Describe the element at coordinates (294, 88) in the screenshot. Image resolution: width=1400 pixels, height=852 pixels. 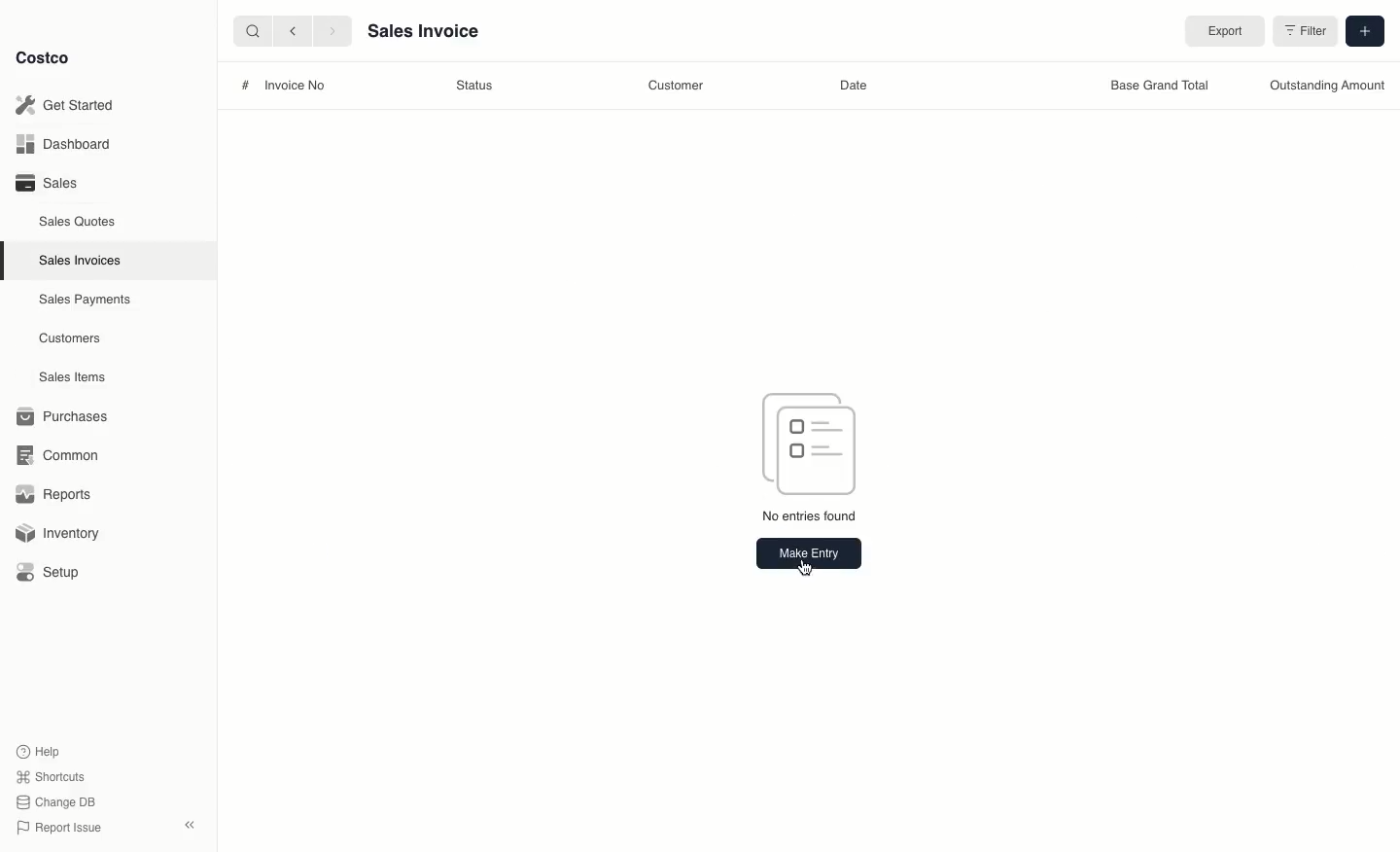
I see `Invoice No` at that location.